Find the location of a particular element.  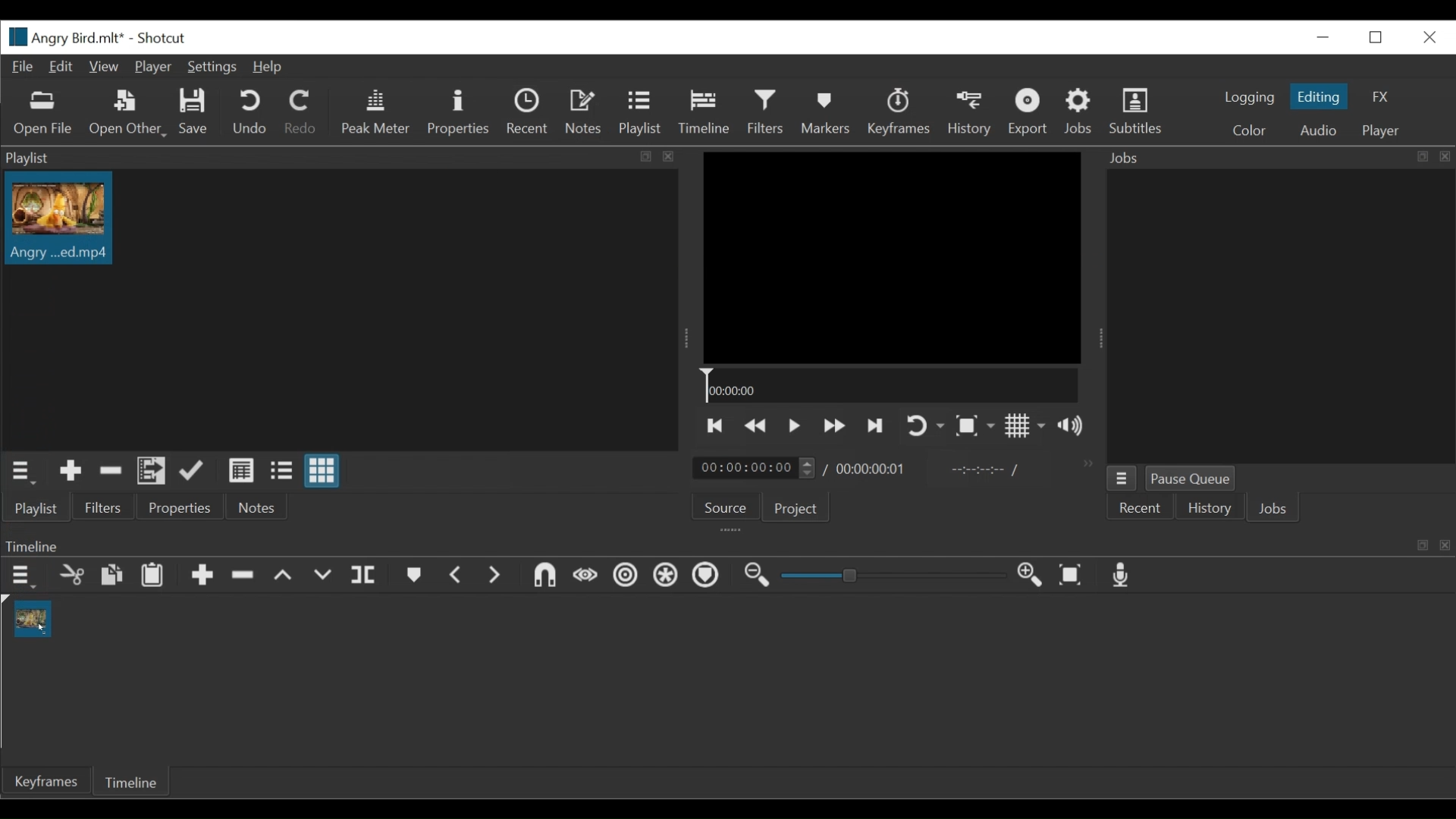

Toggle Zoom  is located at coordinates (975, 425).